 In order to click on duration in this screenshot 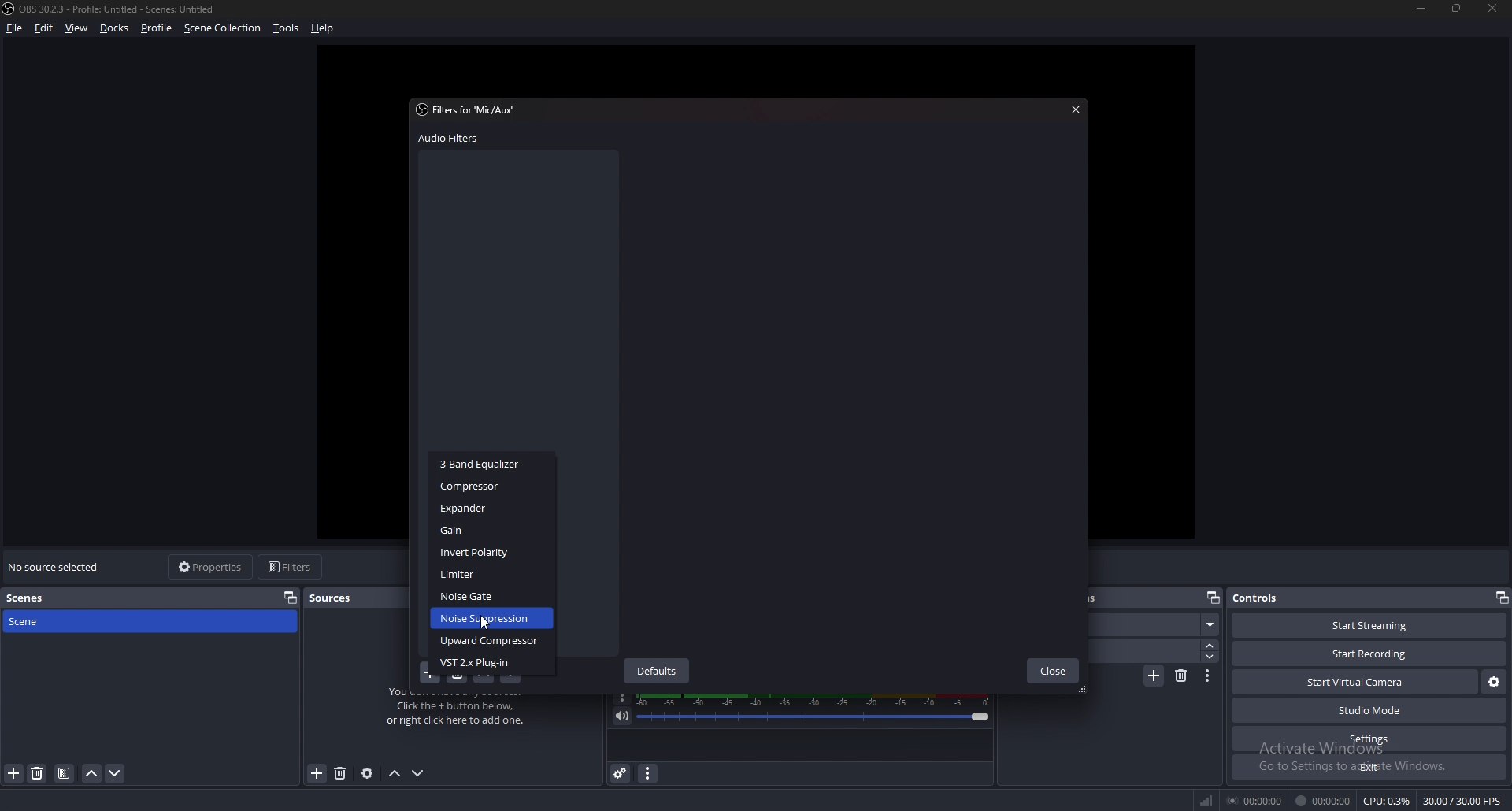, I will do `click(1145, 652)`.